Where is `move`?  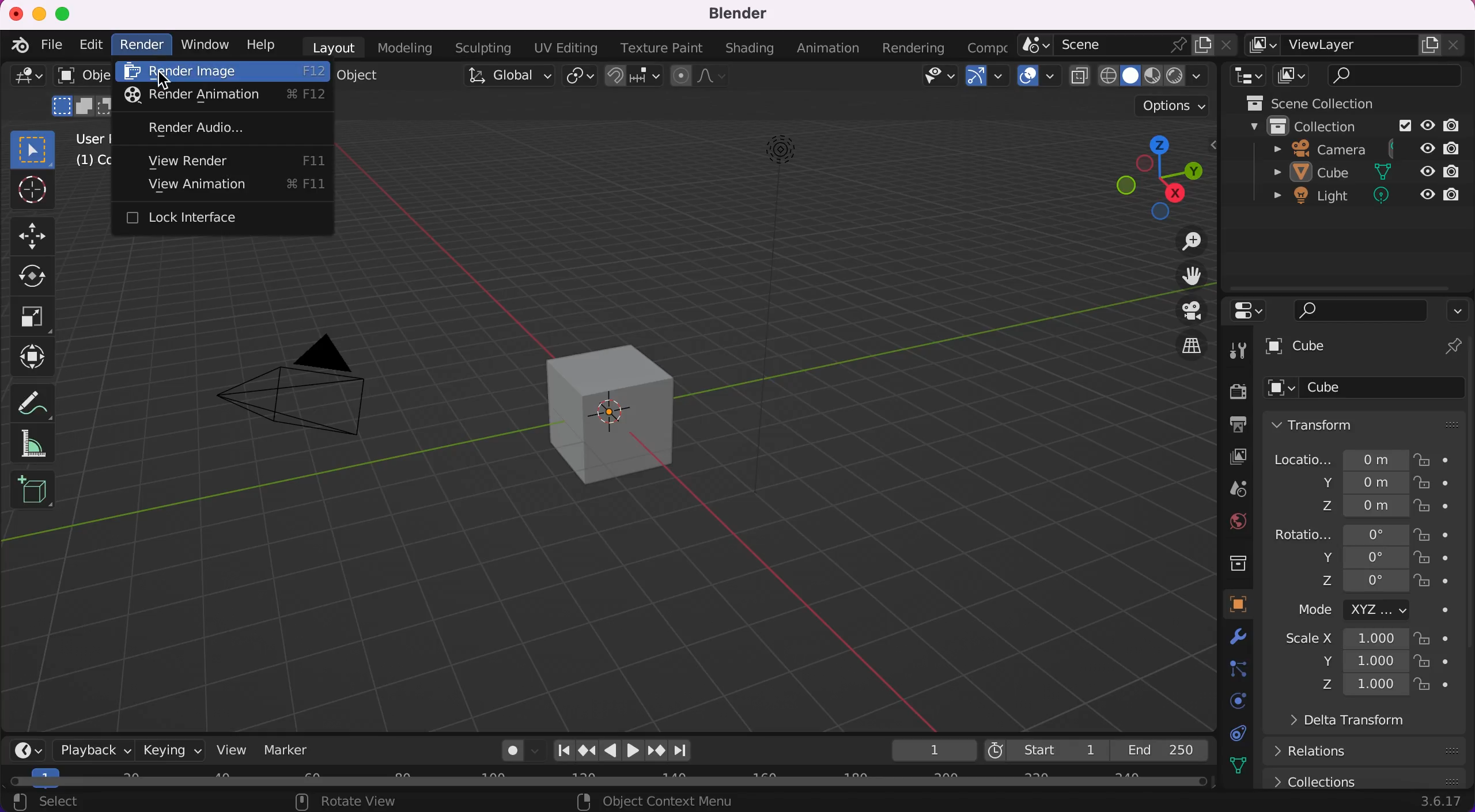 move is located at coordinates (39, 235).